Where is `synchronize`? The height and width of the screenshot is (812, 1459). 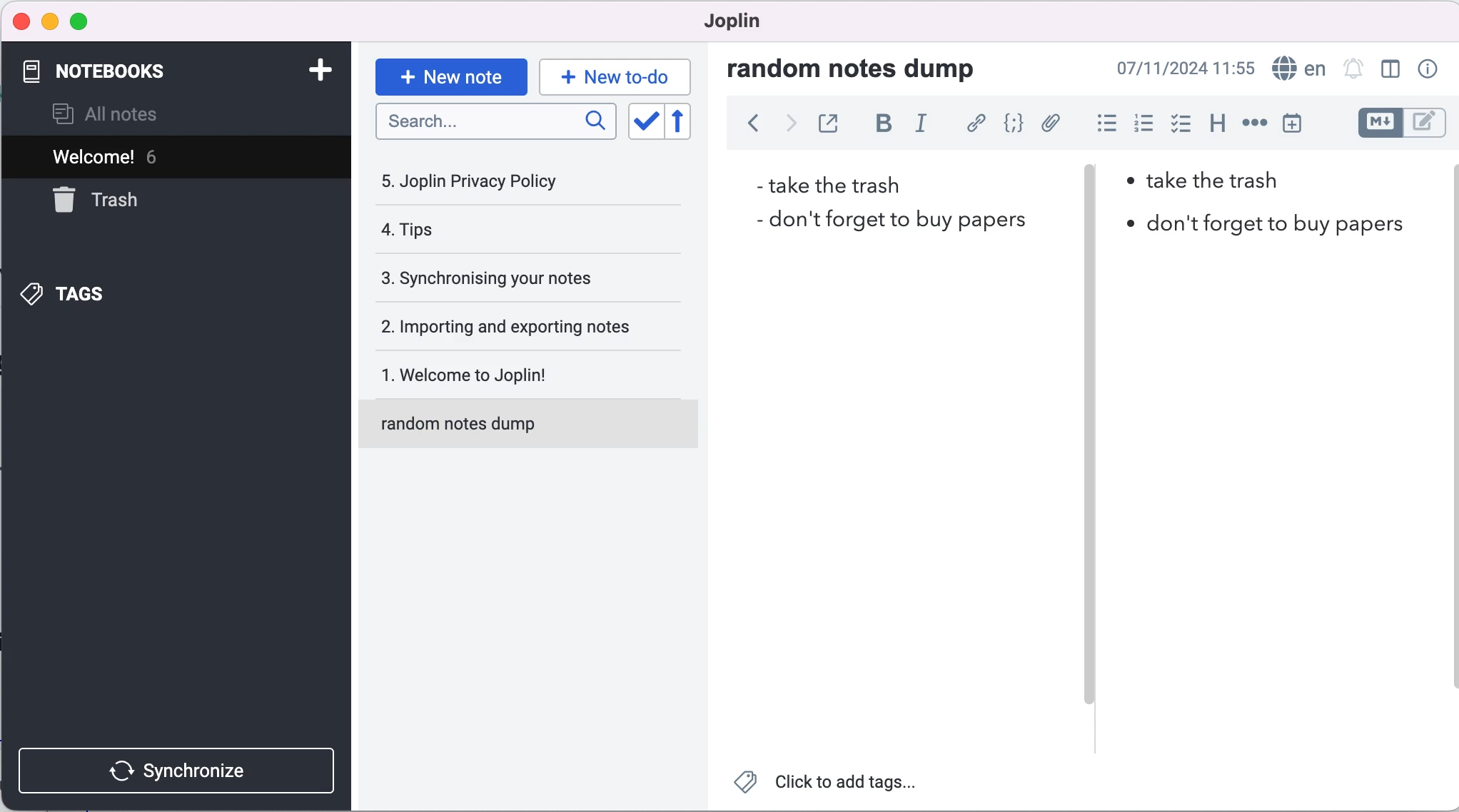 synchronize is located at coordinates (180, 767).